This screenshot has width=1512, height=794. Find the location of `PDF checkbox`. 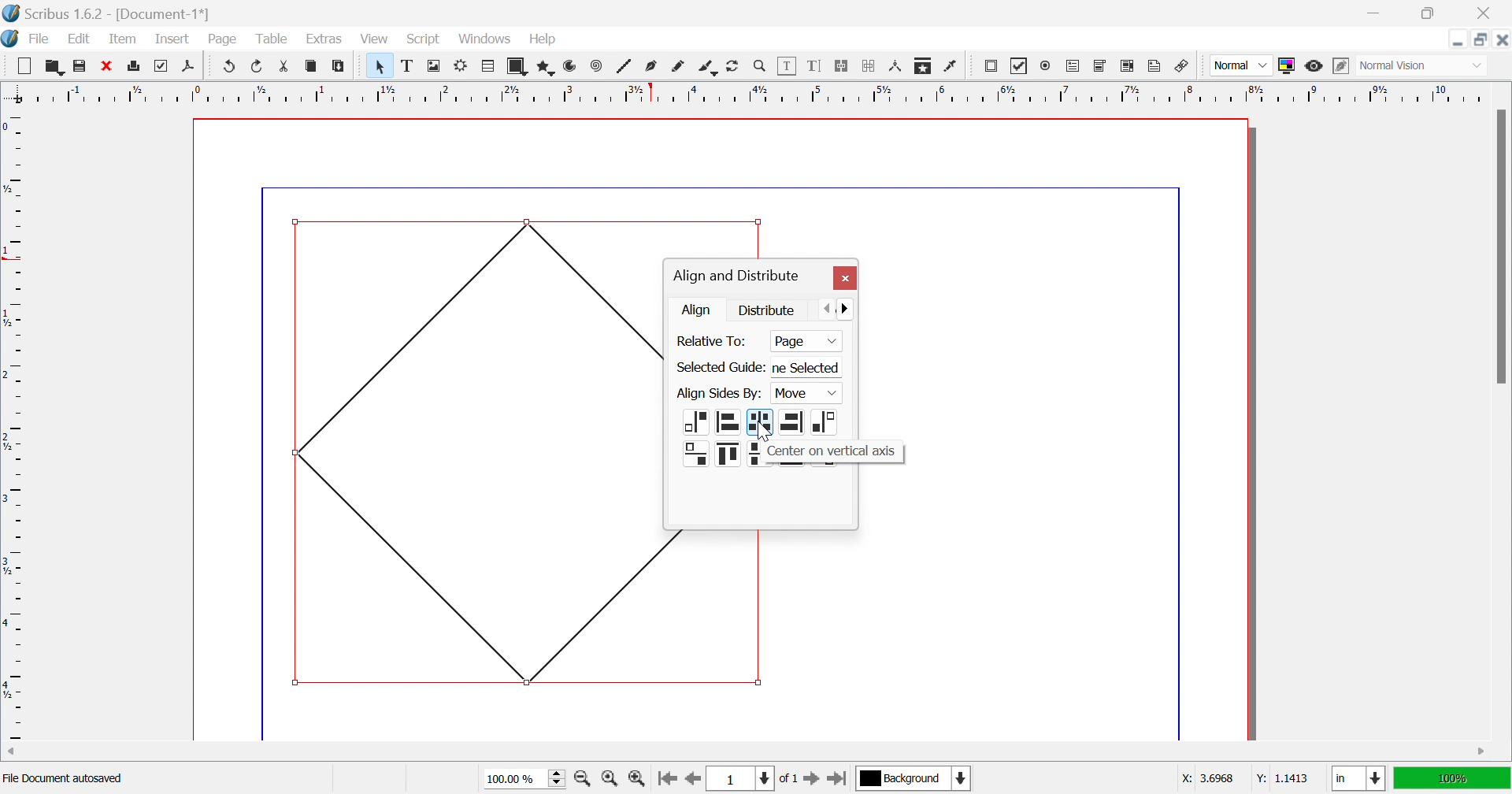

PDF checkbox is located at coordinates (1019, 66).